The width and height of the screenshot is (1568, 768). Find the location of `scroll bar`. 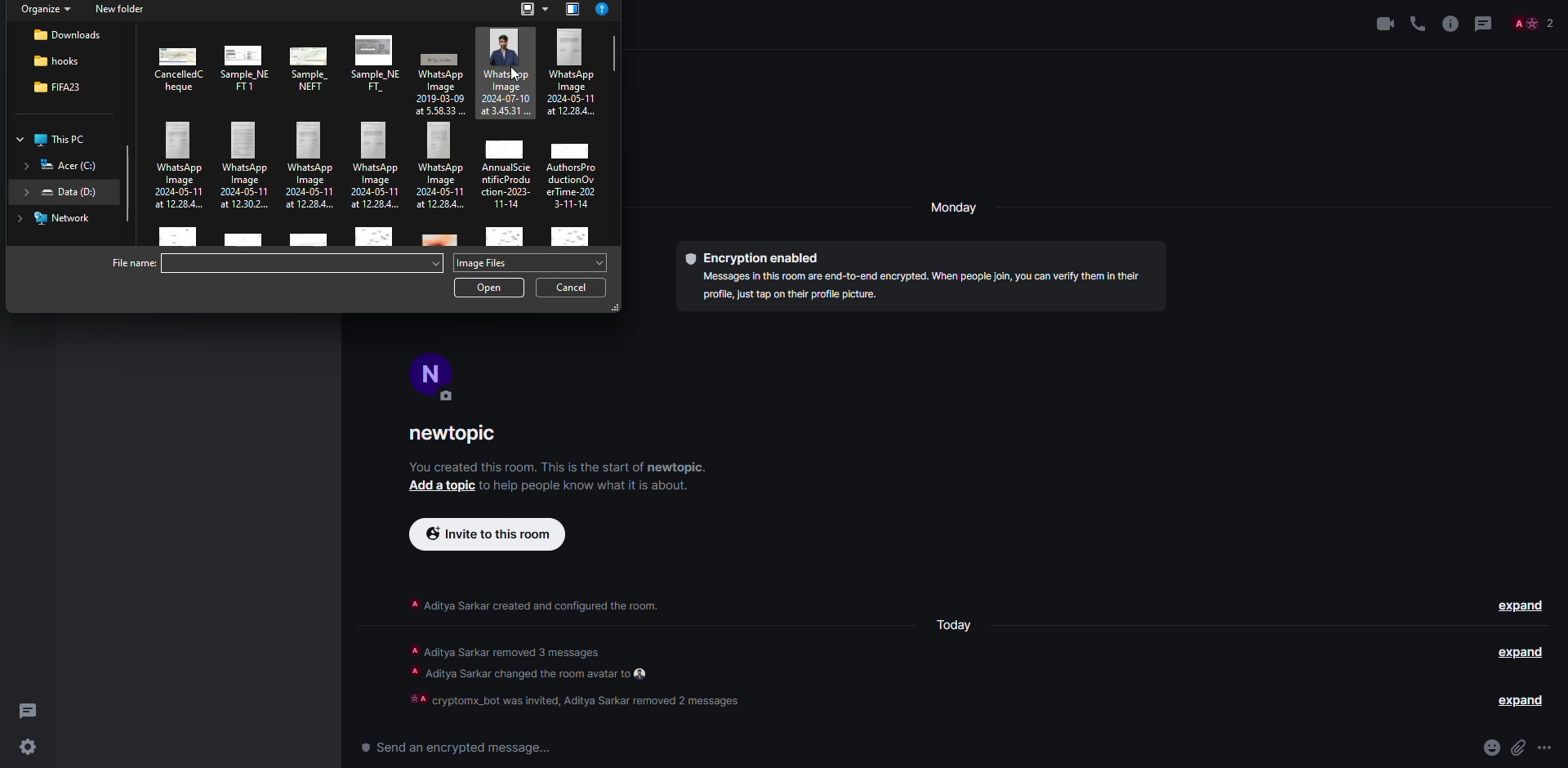

scroll bar is located at coordinates (127, 186).